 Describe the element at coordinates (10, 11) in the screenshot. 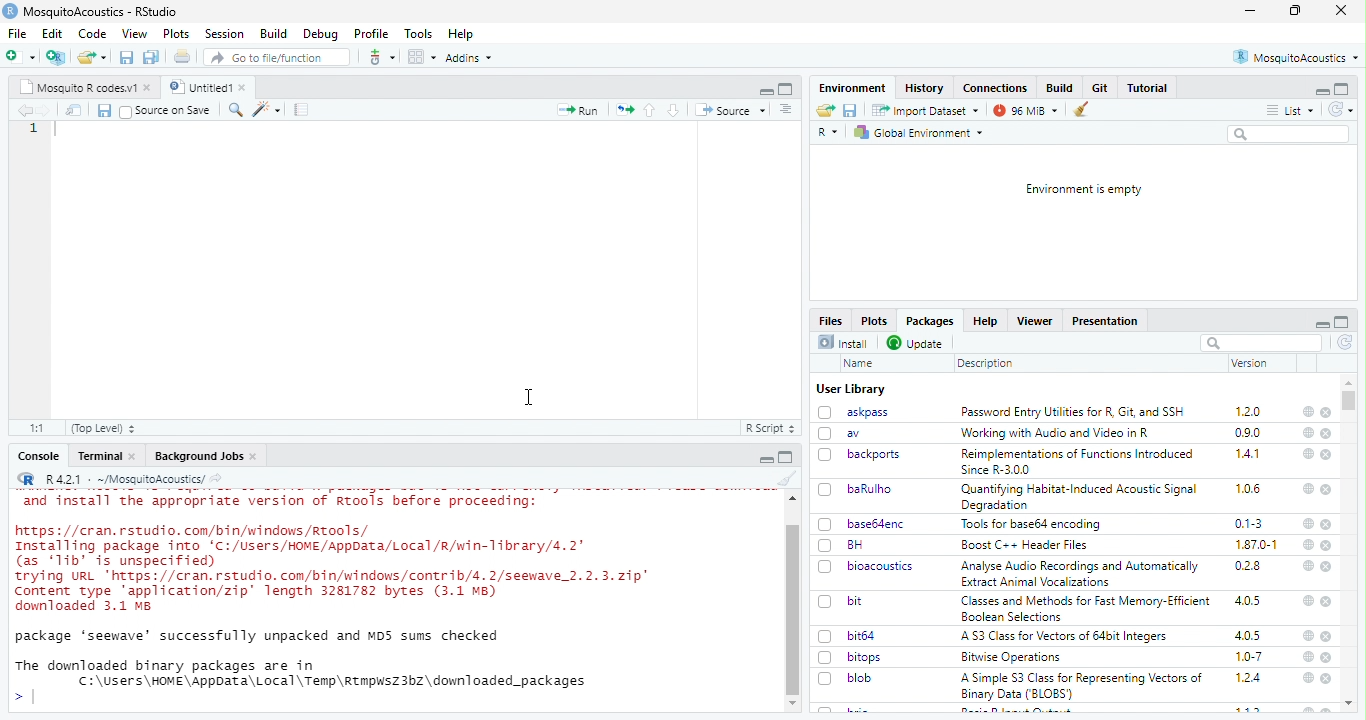

I see `logo` at that location.